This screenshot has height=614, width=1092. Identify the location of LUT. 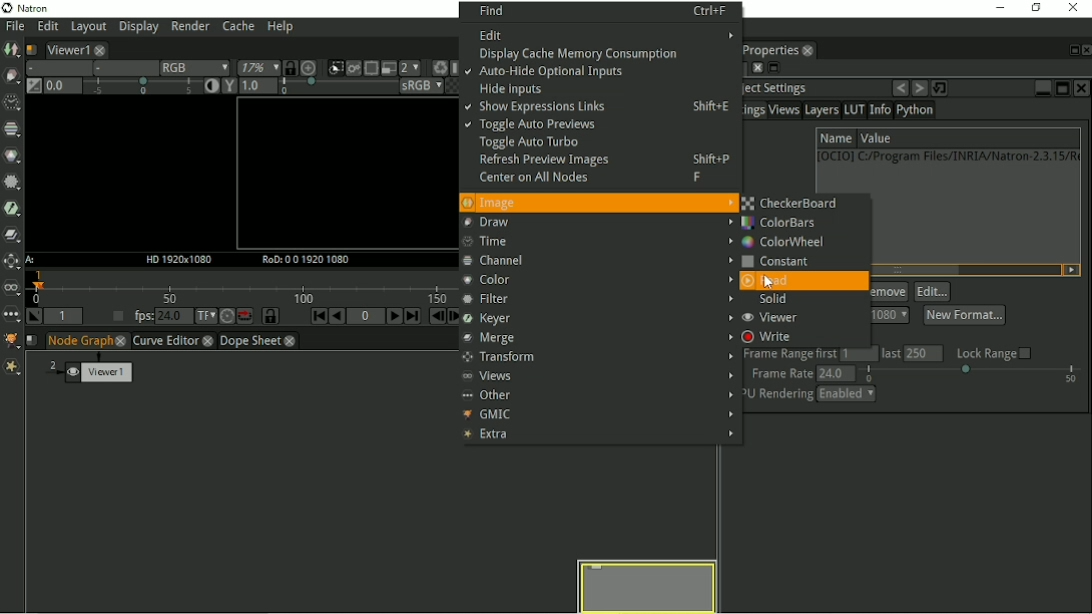
(854, 110).